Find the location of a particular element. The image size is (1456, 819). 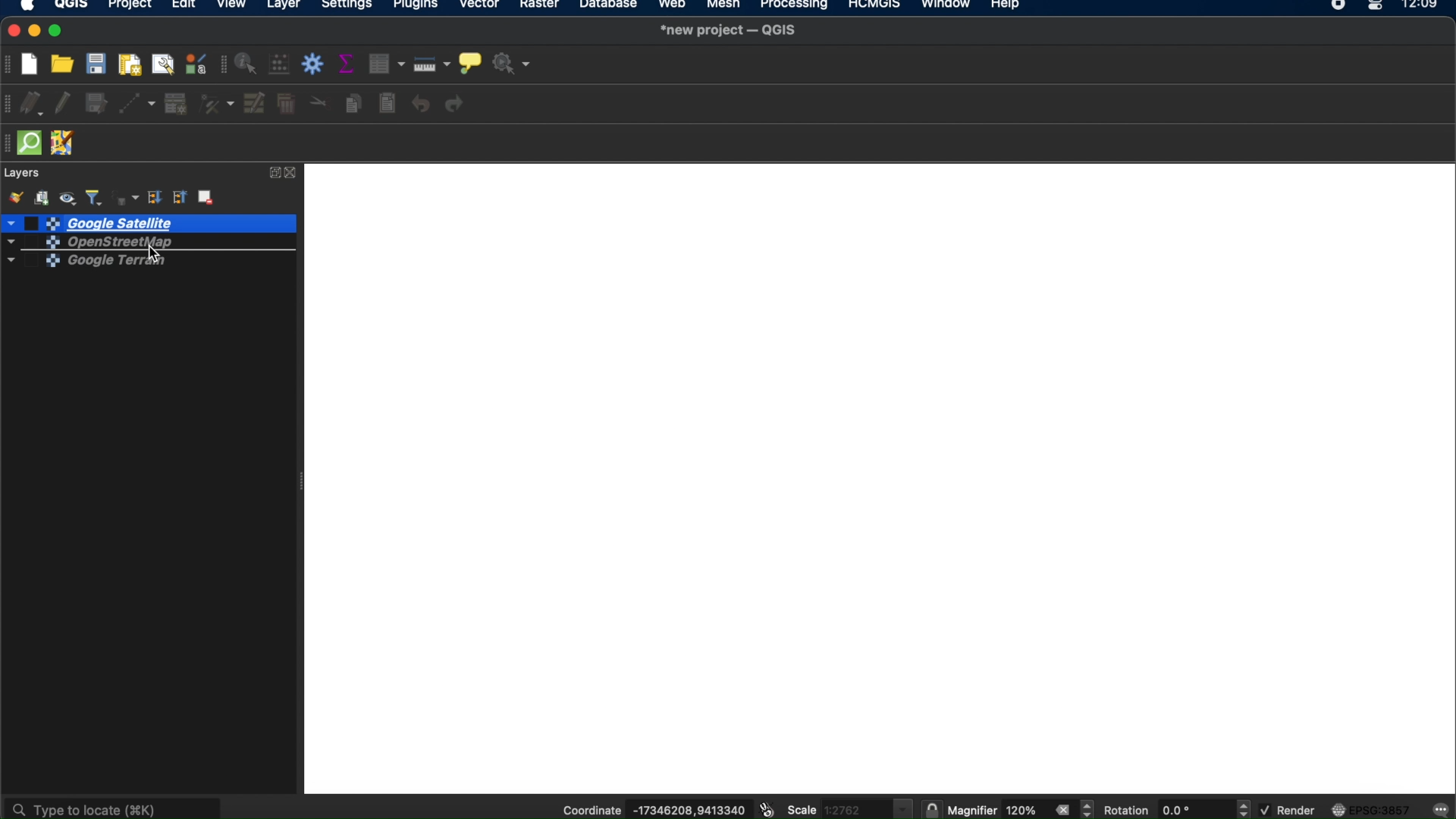

open attribute table is located at coordinates (389, 64).